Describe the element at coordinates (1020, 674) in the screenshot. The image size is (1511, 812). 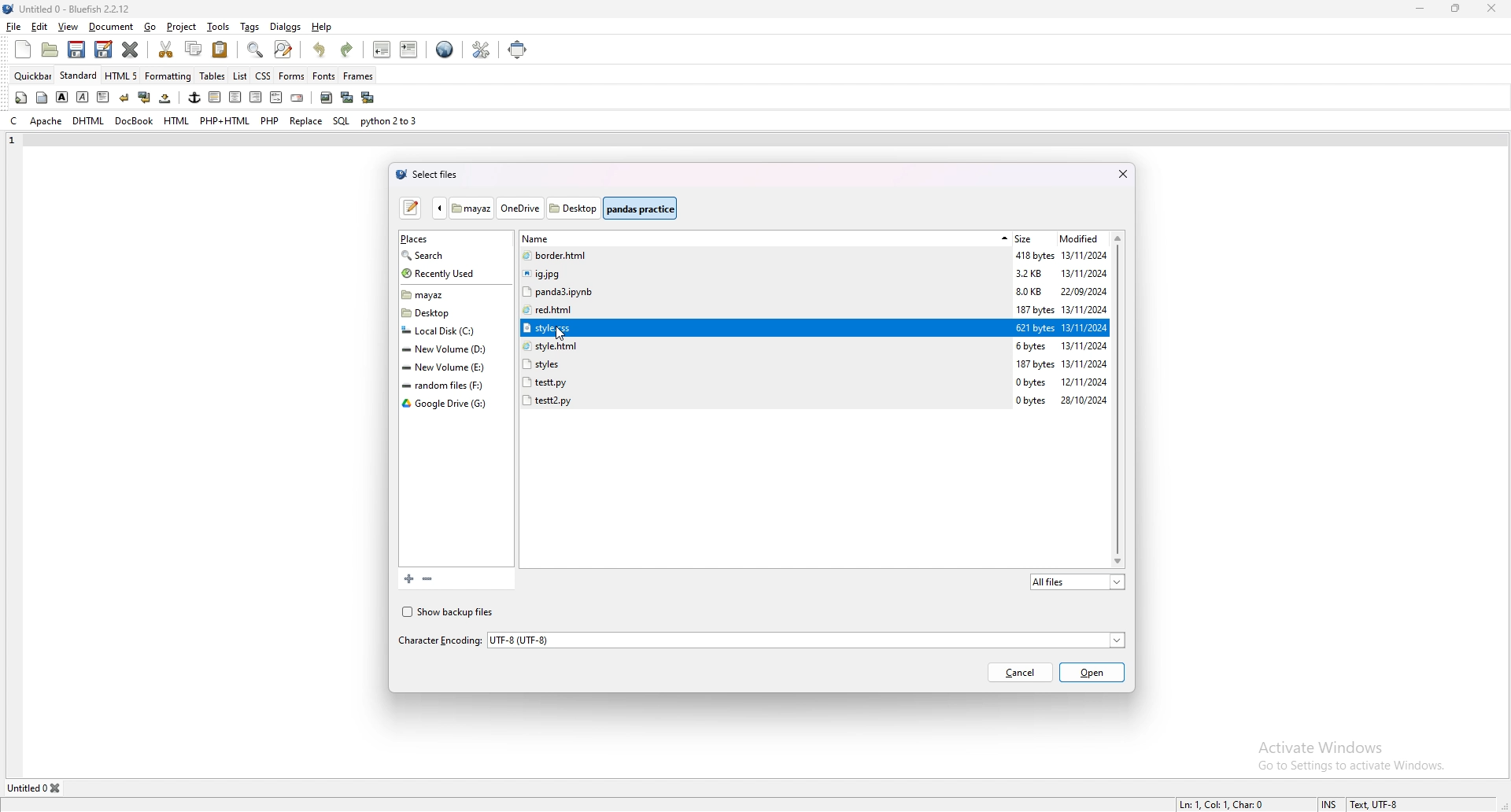
I see `cancel` at that location.